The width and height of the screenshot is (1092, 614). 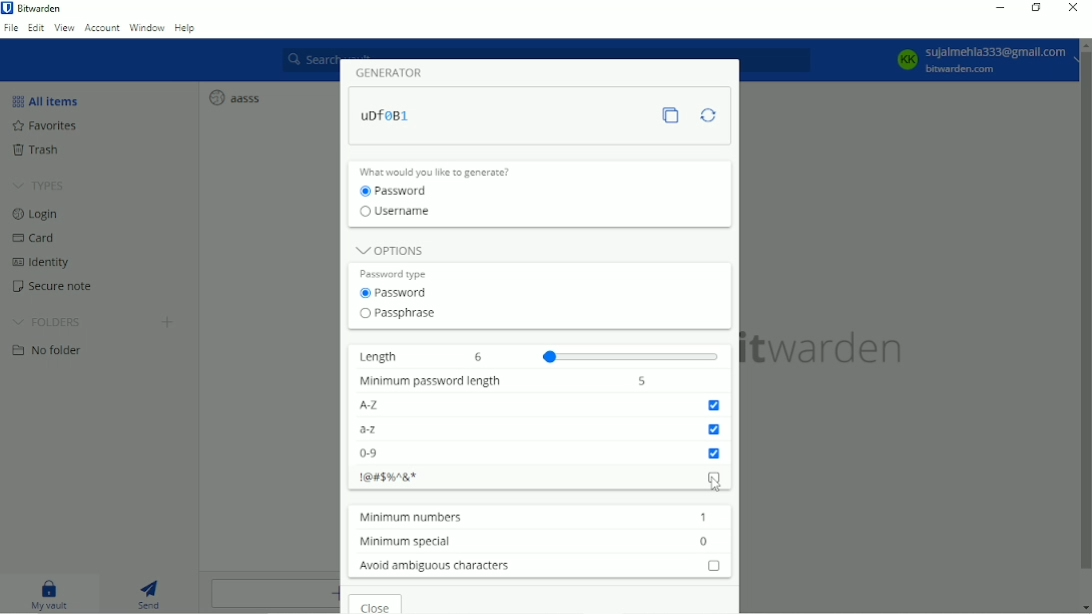 I want to click on Send, so click(x=152, y=592).